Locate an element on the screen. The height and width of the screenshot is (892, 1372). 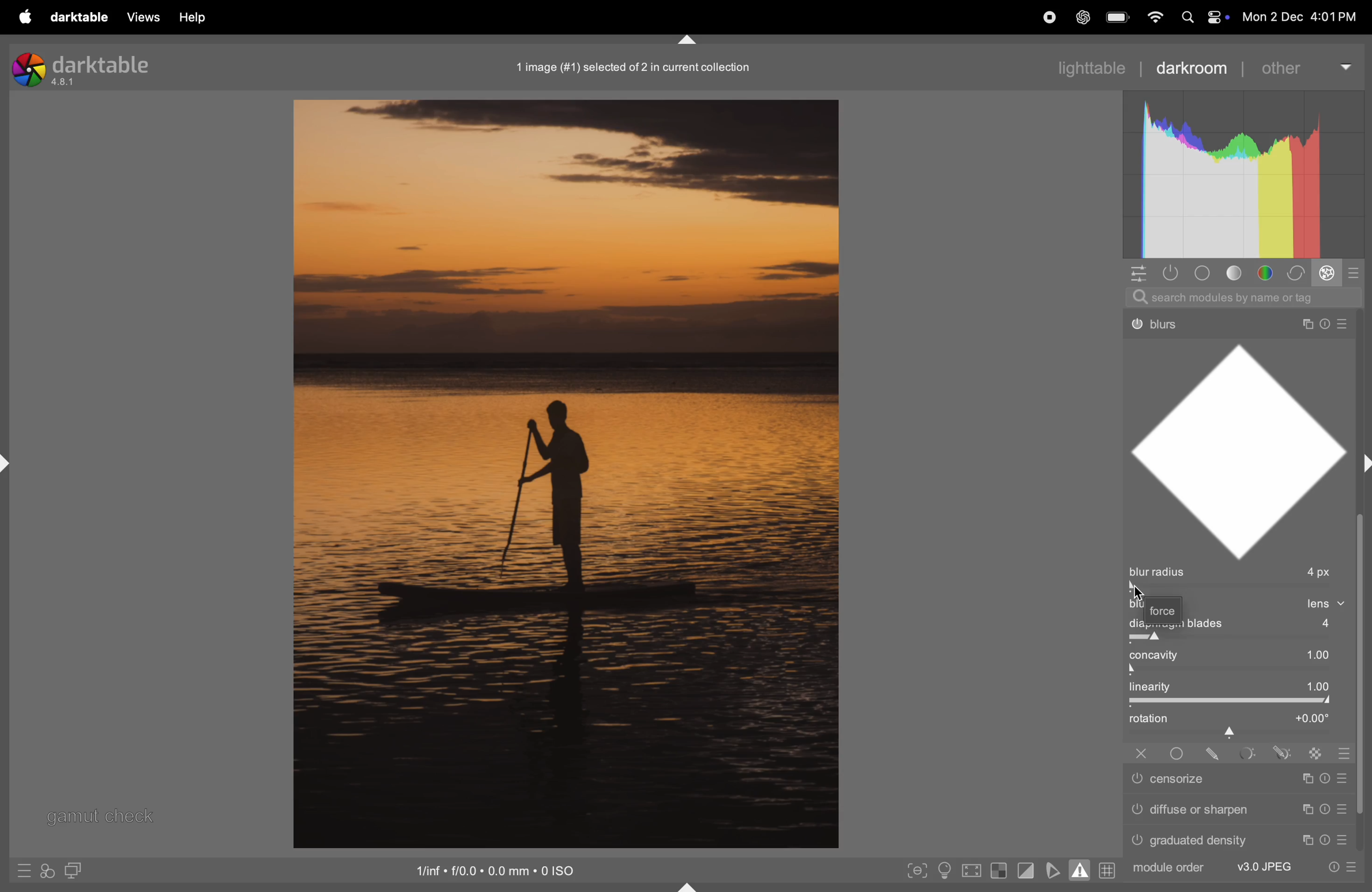
darkroom is located at coordinates (1193, 67).